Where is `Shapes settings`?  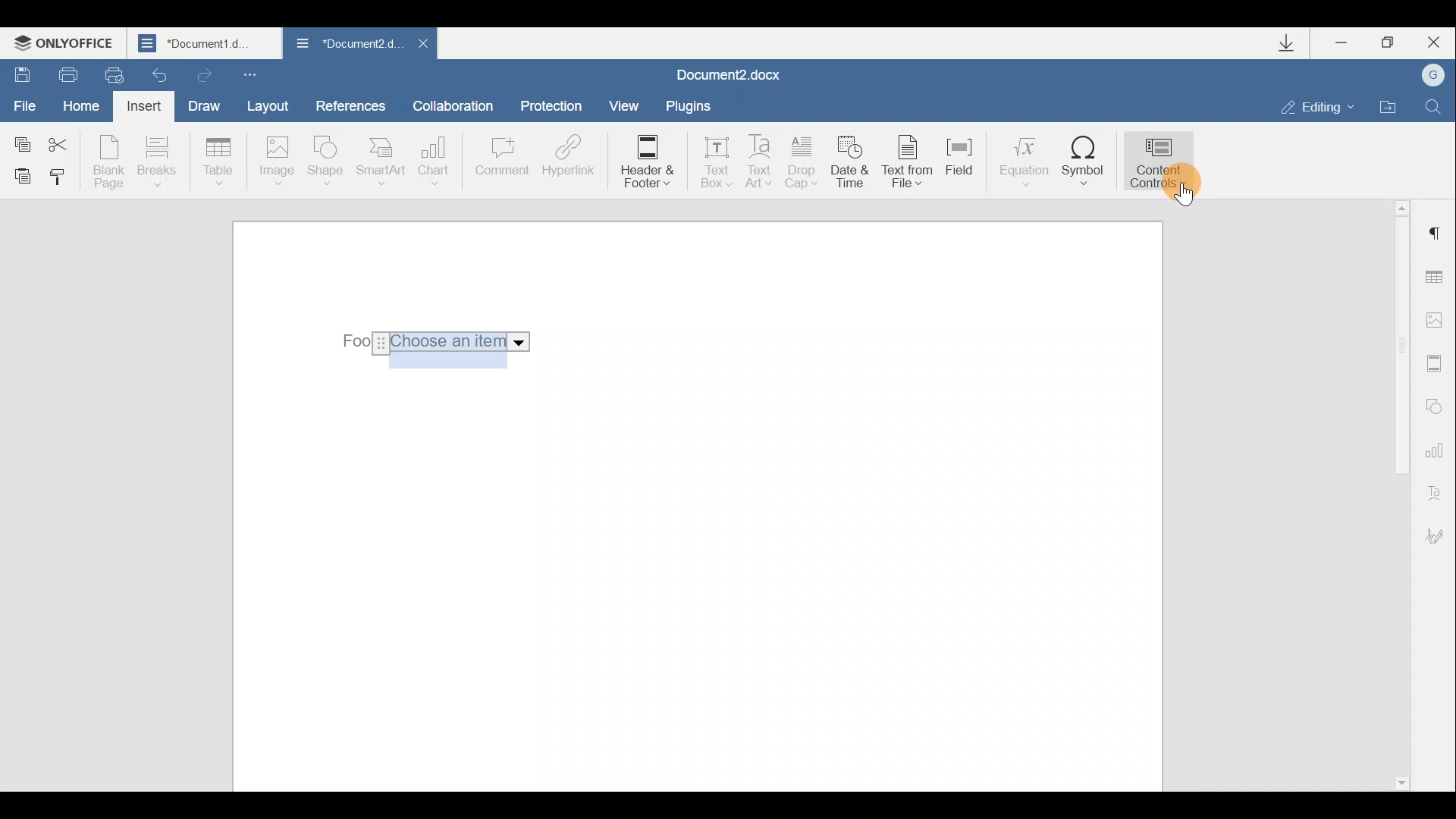 Shapes settings is located at coordinates (1435, 404).